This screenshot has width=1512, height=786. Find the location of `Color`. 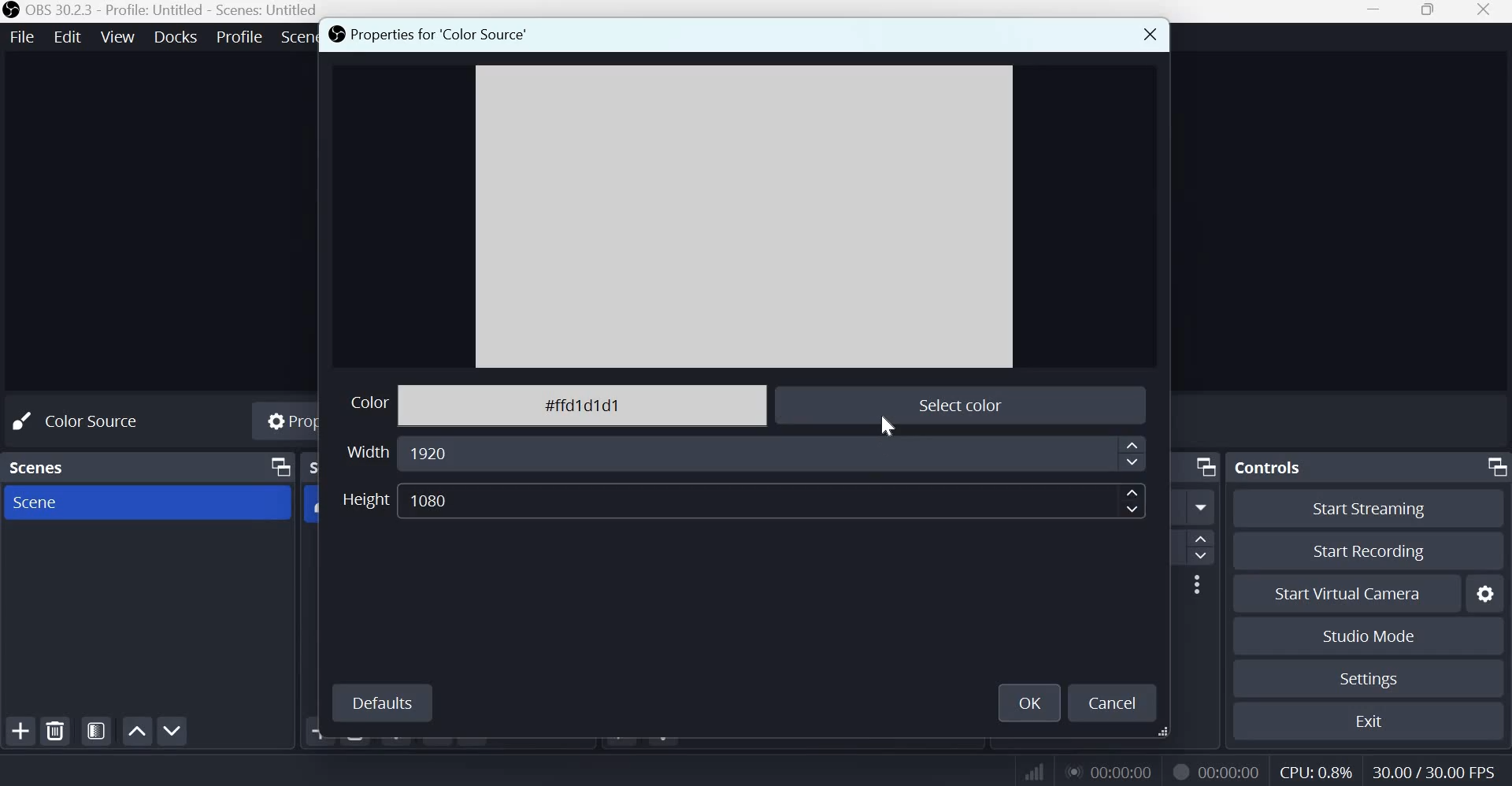

Color is located at coordinates (361, 404).